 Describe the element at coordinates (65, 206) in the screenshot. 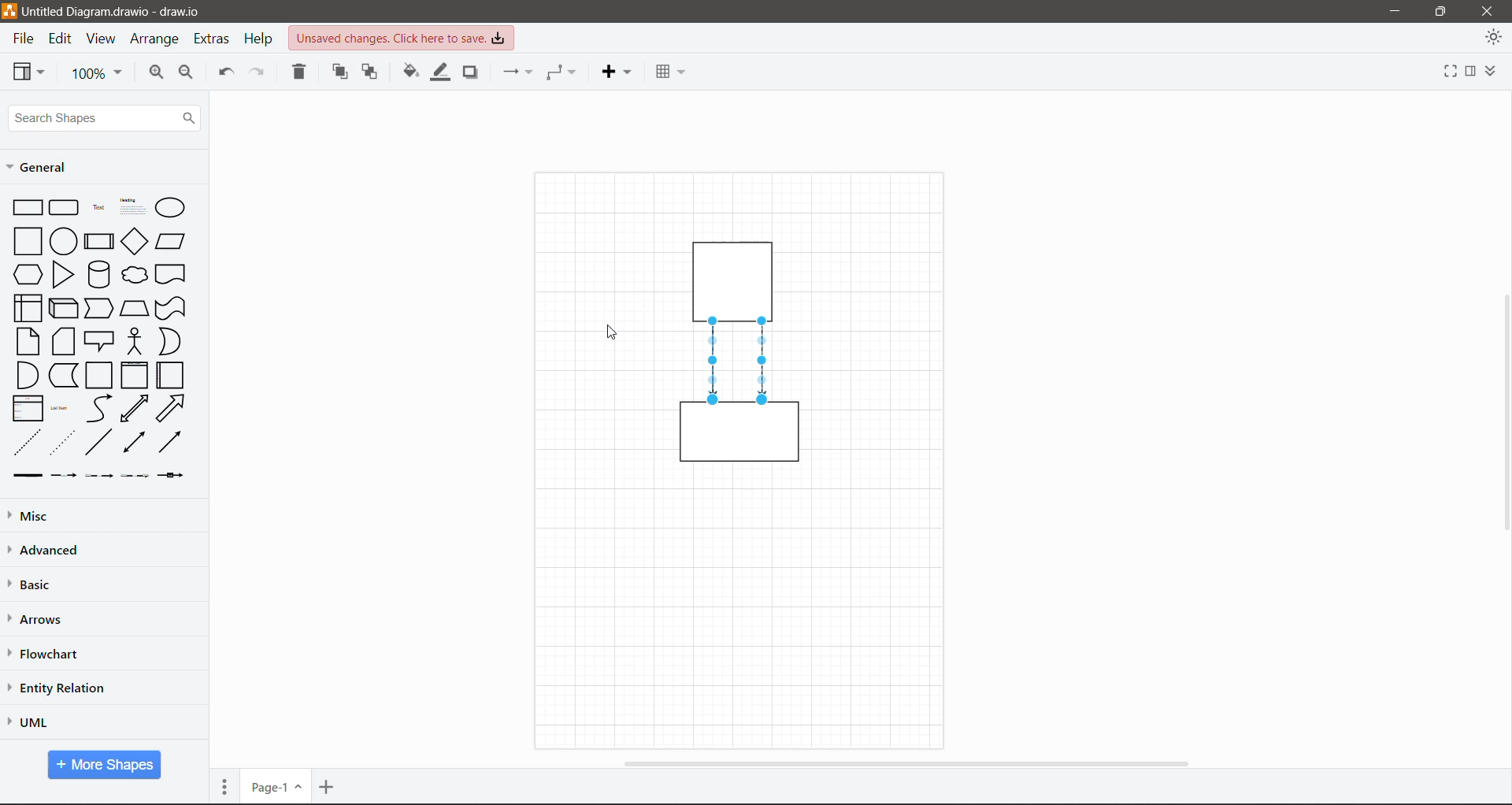

I see `Rounded Rectangle` at that location.